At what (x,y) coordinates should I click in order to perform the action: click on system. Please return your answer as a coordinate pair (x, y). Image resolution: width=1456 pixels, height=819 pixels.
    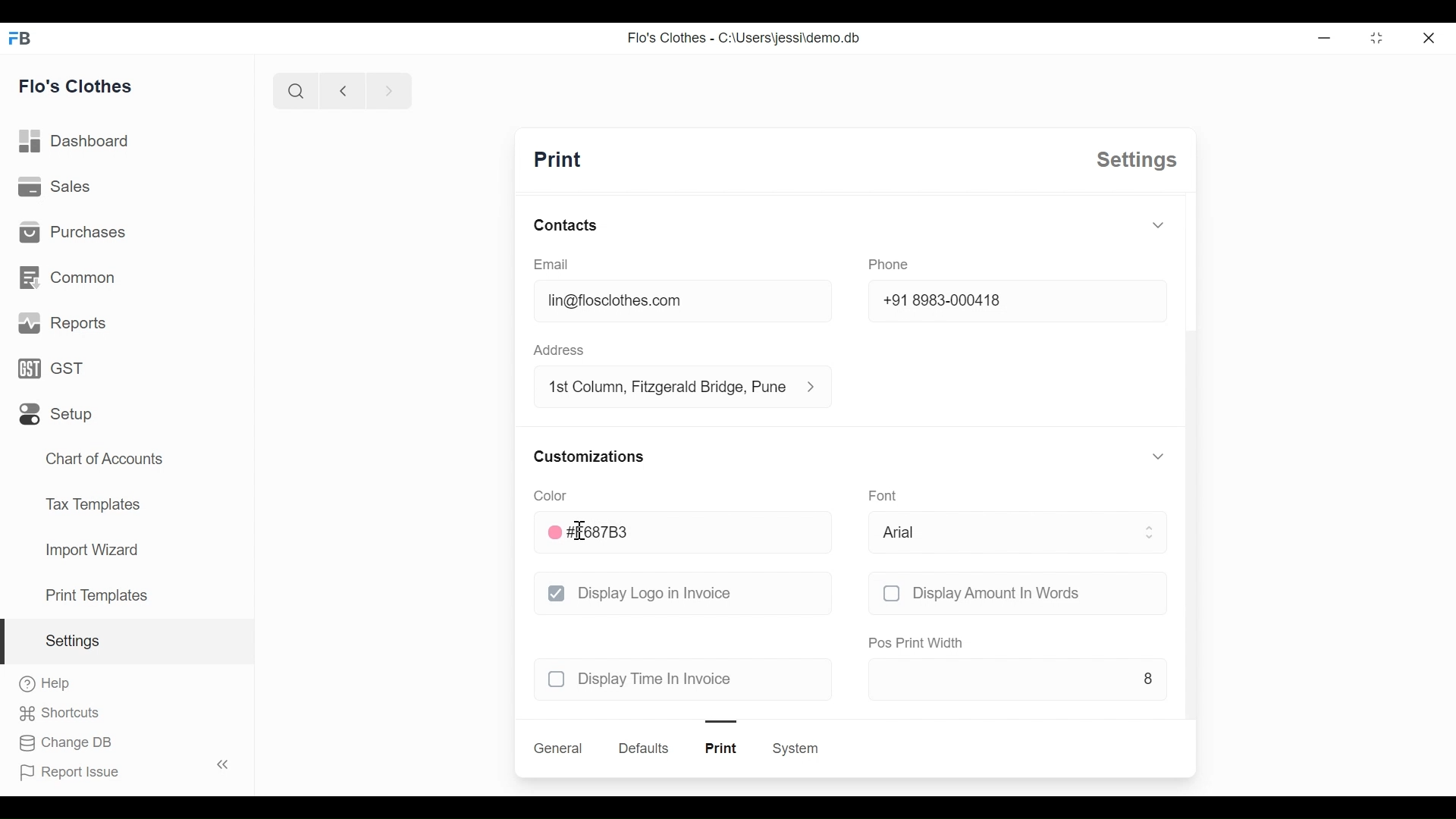
    Looking at the image, I should click on (795, 748).